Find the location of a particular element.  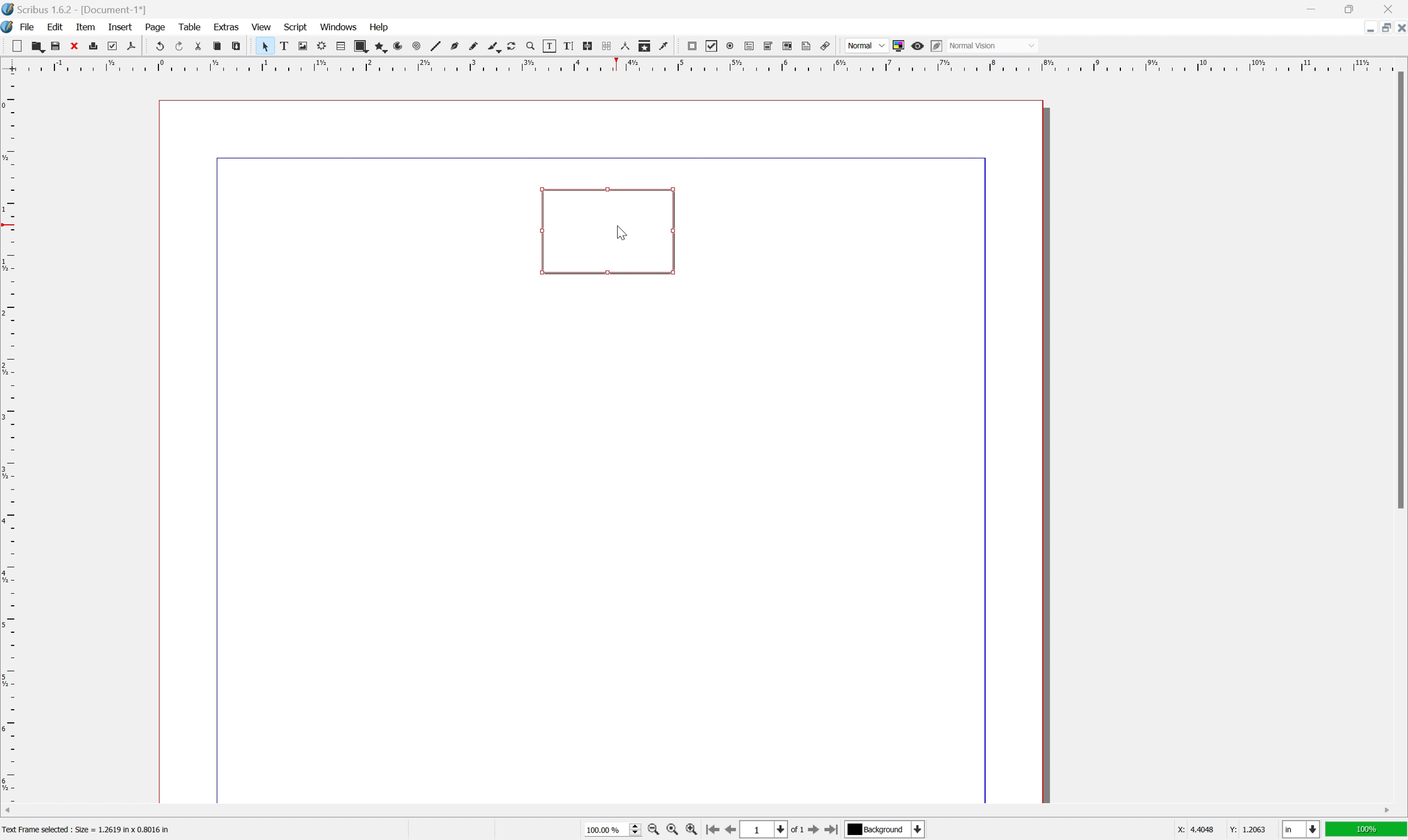

insert is located at coordinates (122, 28).